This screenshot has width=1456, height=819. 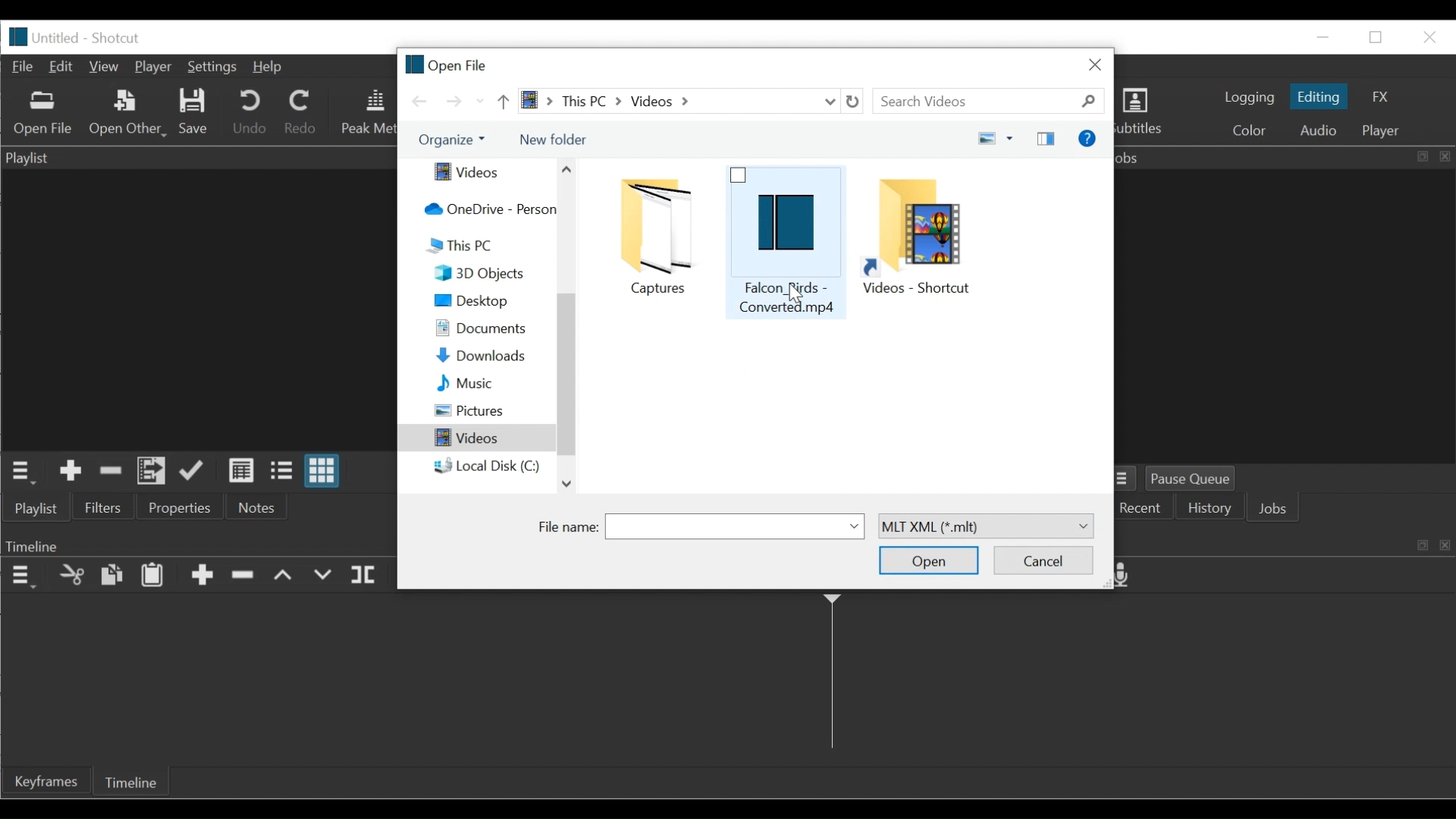 I want to click on Vertical Scroll bar, so click(x=566, y=378).